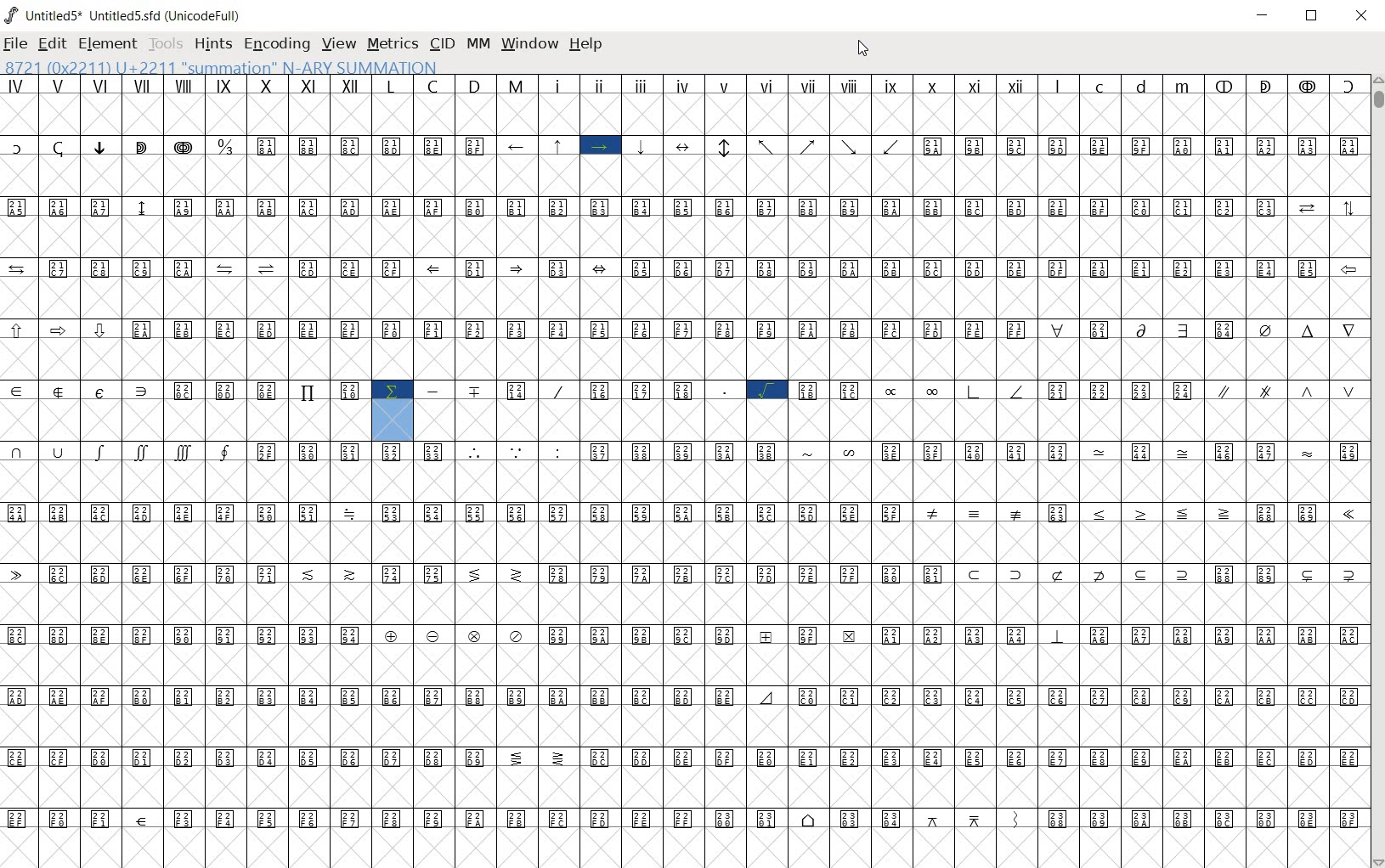 This screenshot has width=1385, height=868. Describe the element at coordinates (684, 514) in the screenshot. I see `special symbols` at that location.